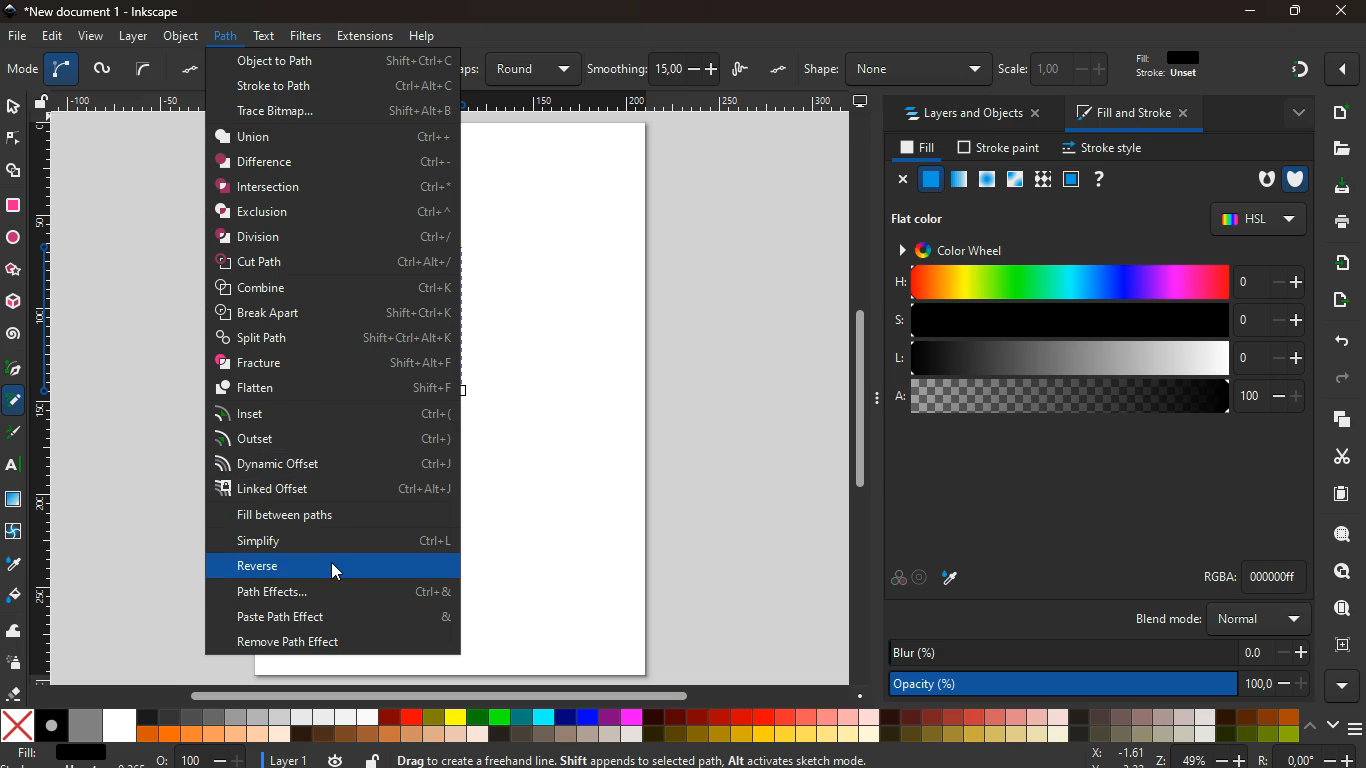 The height and width of the screenshot is (768, 1366). What do you see at coordinates (200, 759) in the screenshot?
I see `o` at bounding box center [200, 759].